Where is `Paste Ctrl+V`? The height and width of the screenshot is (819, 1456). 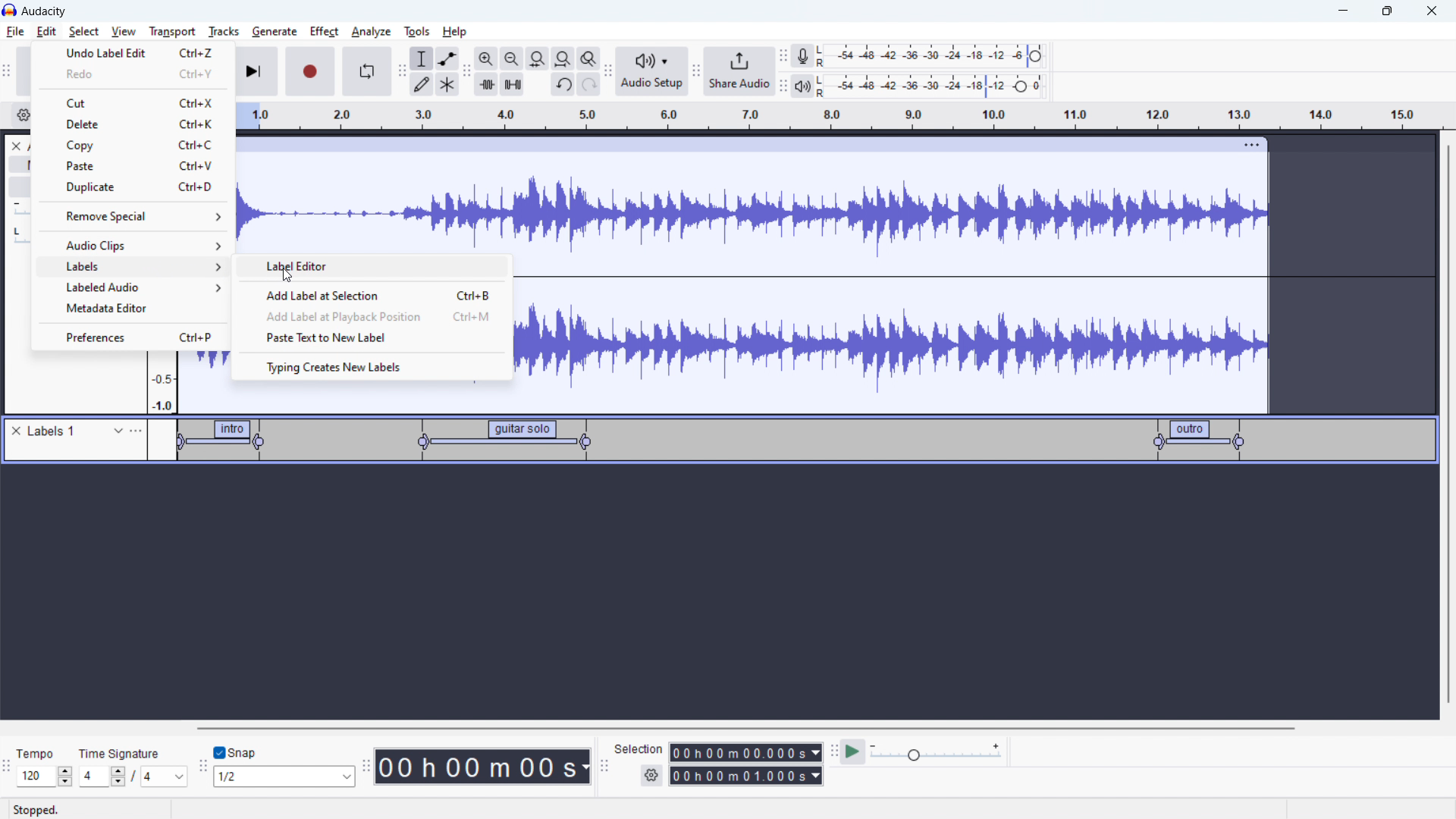 Paste Ctrl+V is located at coordinates (142, 168).